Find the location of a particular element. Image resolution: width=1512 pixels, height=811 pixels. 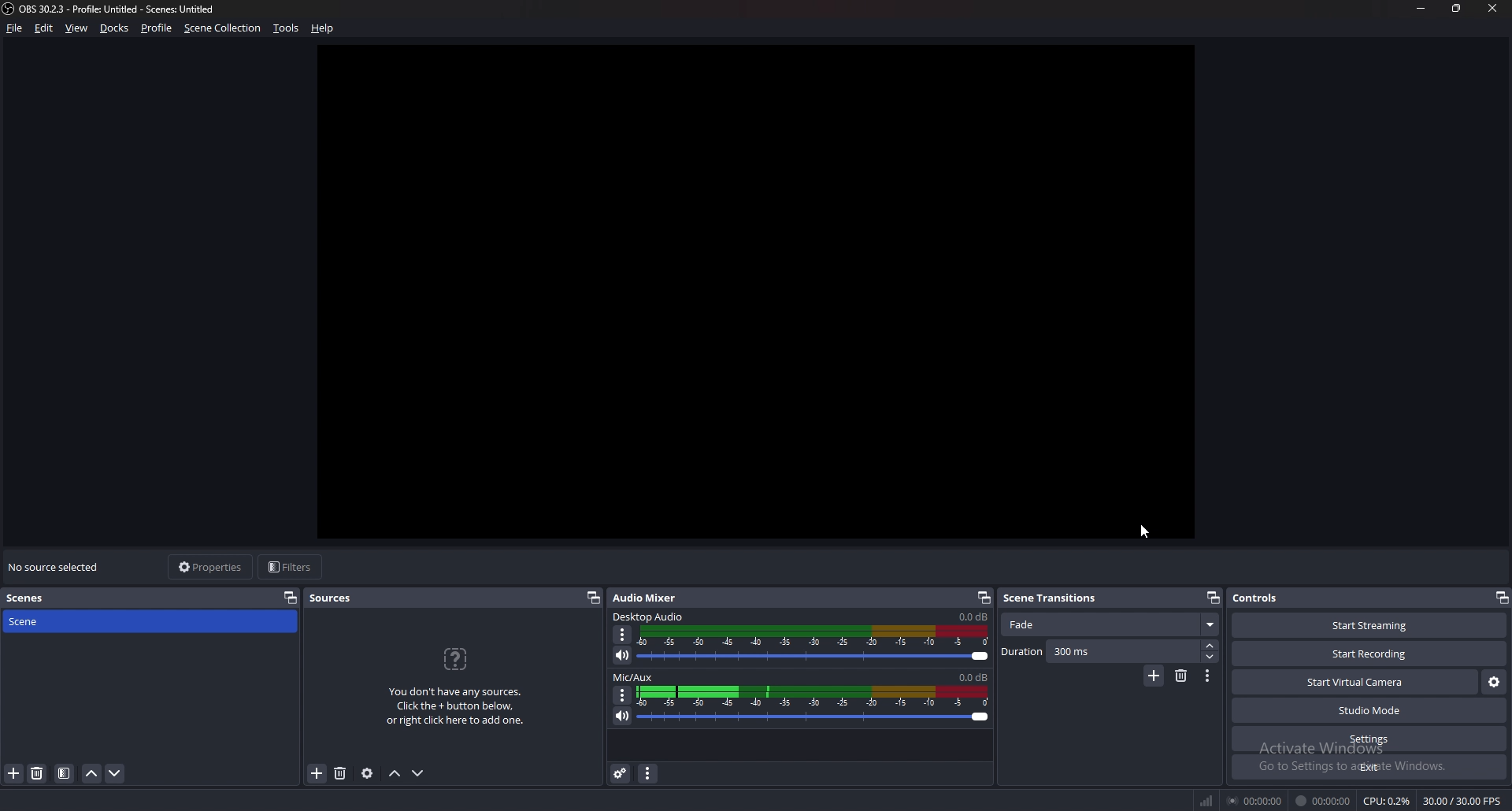

add scene is located at coordinates (14, 774).